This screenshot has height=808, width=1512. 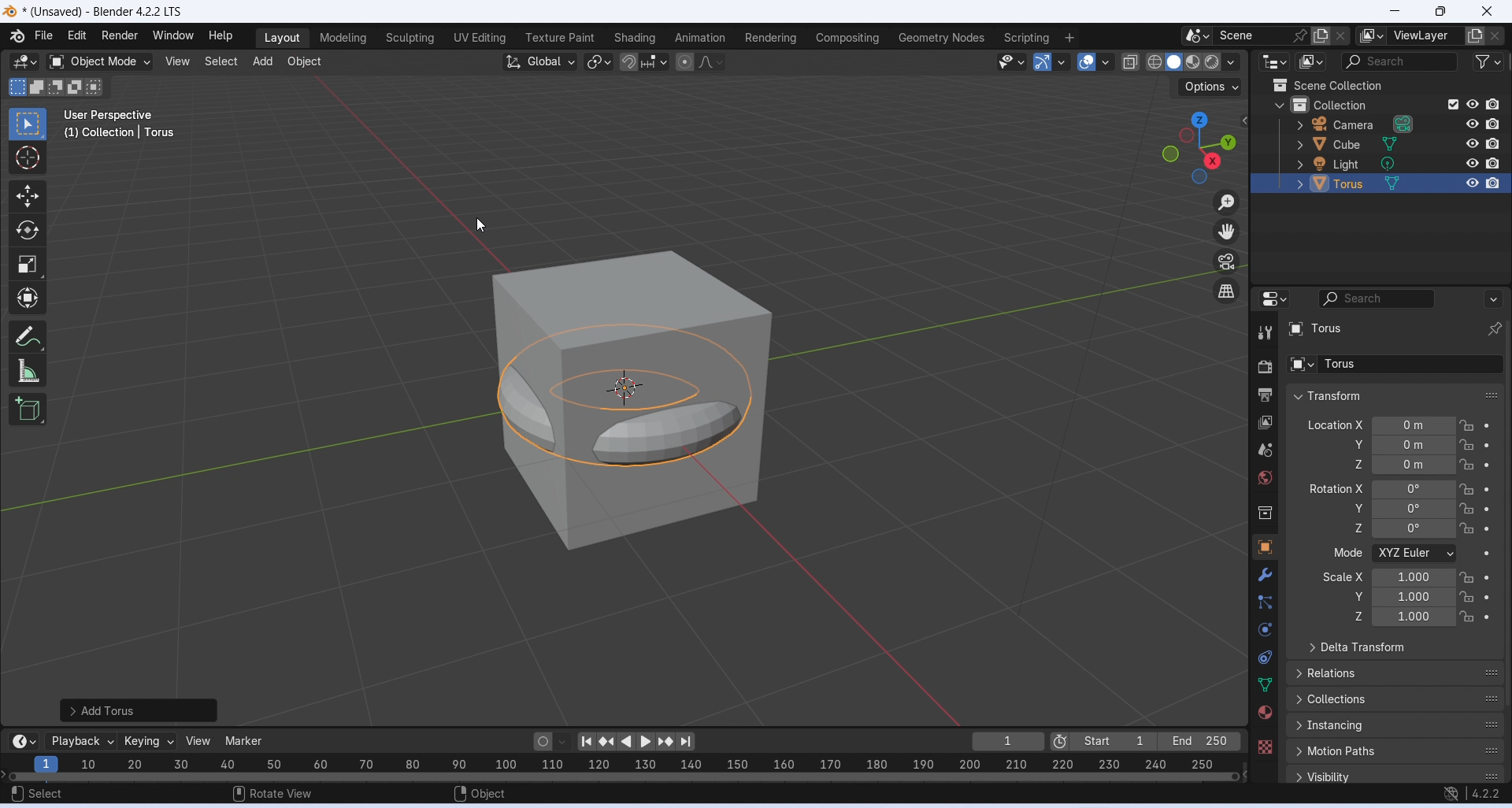 What do you see at coordinates (1423, 36) in the screenshot?
I see `ViewLayer` at bounding box center [1423, 36].